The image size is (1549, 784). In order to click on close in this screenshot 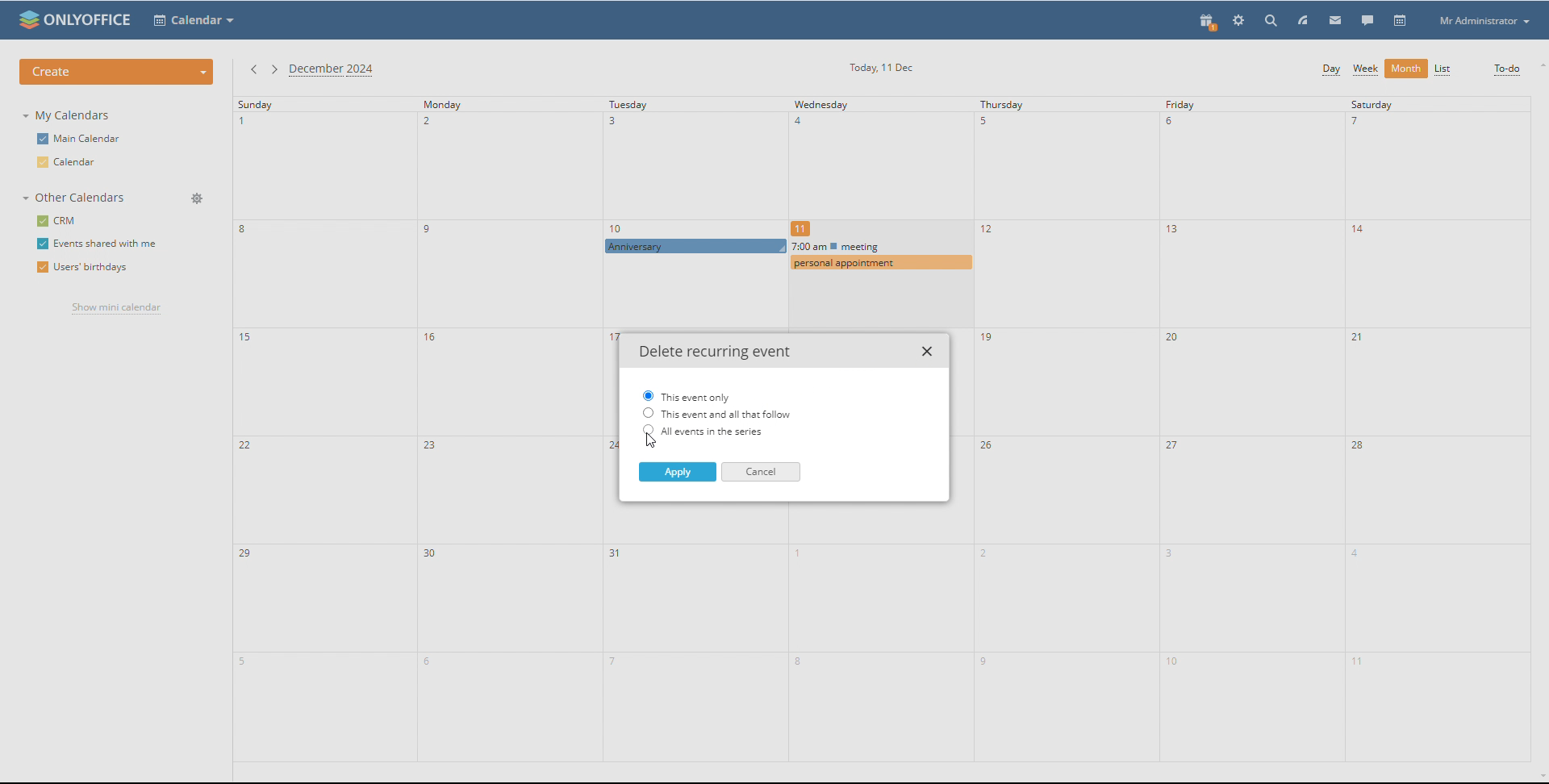, I will do `click(929, 352)`.